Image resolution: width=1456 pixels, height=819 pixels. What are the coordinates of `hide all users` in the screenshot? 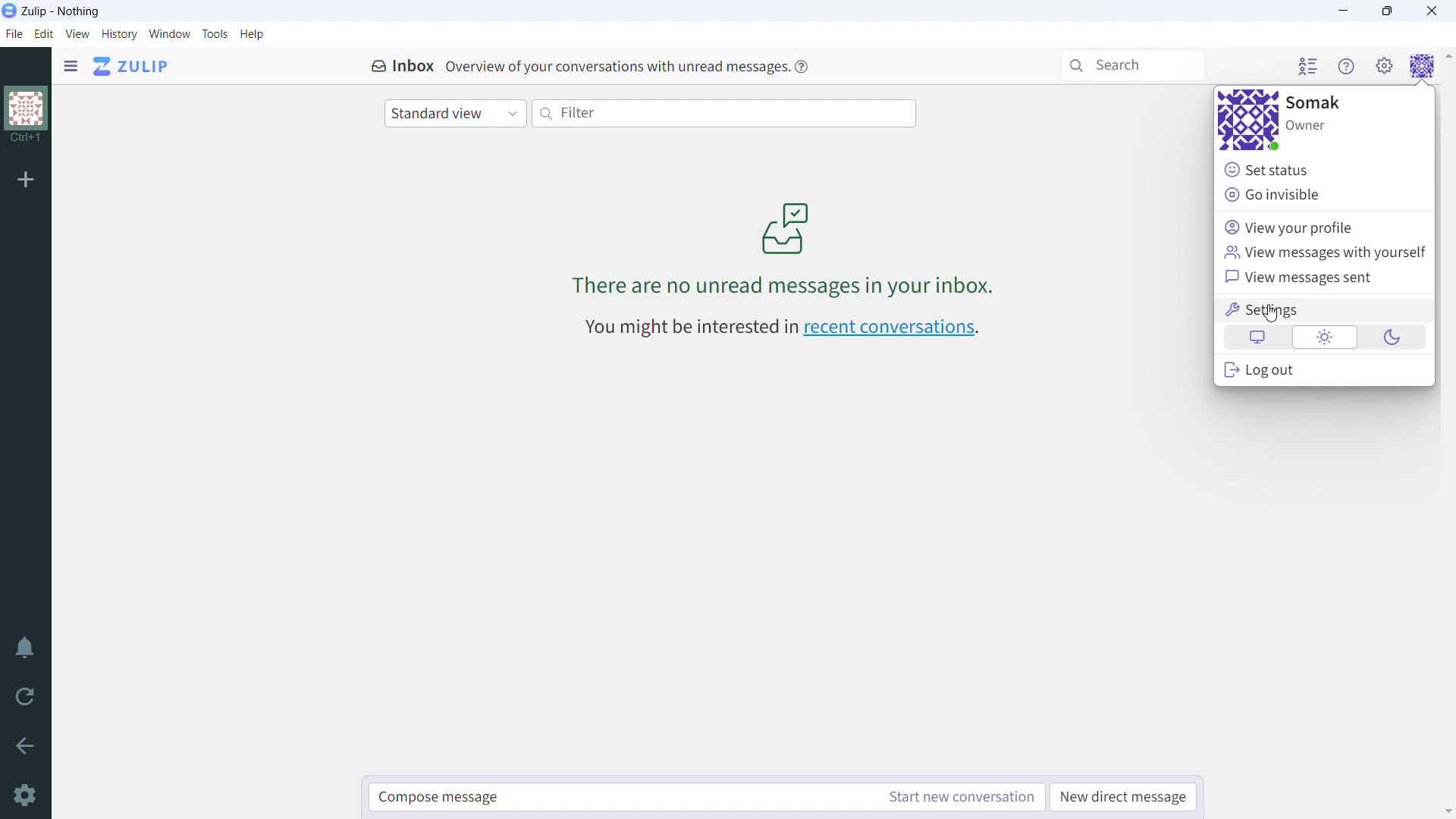 It's located at (1307, 66).